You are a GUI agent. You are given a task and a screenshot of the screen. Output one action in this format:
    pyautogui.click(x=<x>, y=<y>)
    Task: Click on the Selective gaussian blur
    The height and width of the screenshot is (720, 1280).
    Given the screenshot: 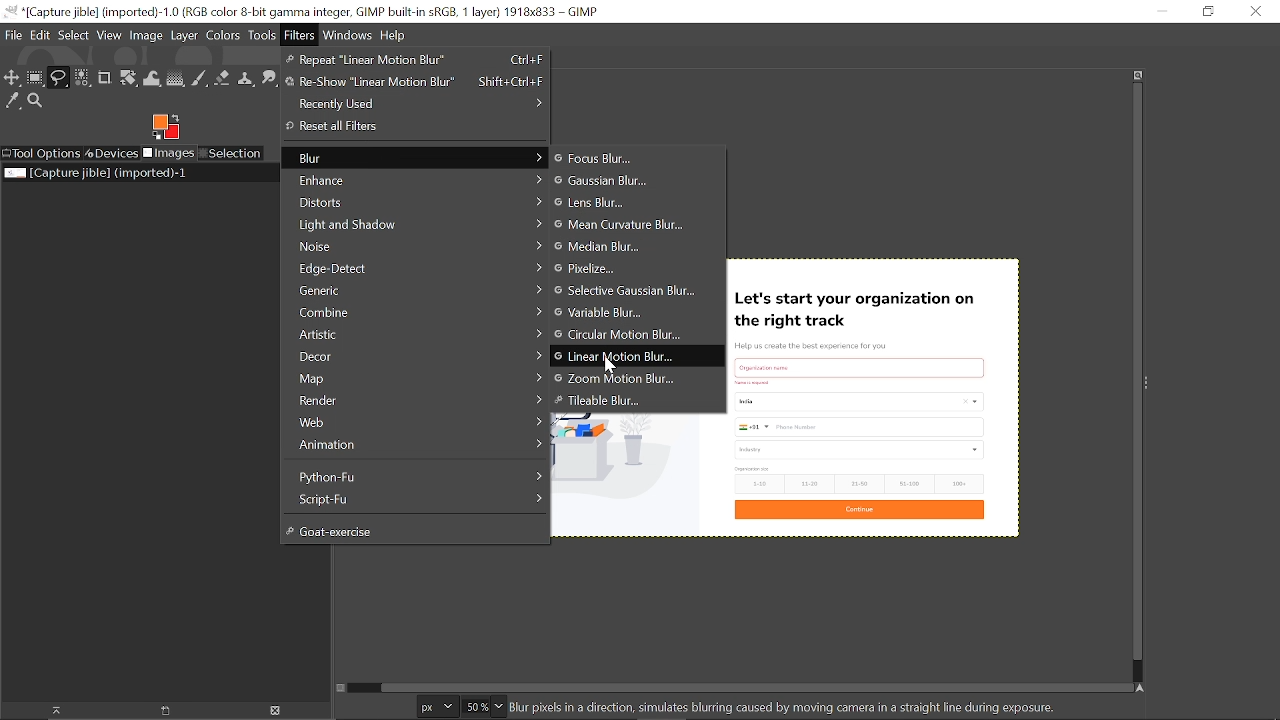 What is the action you would take?
    pyautogui.click(x=627, y=292)
    